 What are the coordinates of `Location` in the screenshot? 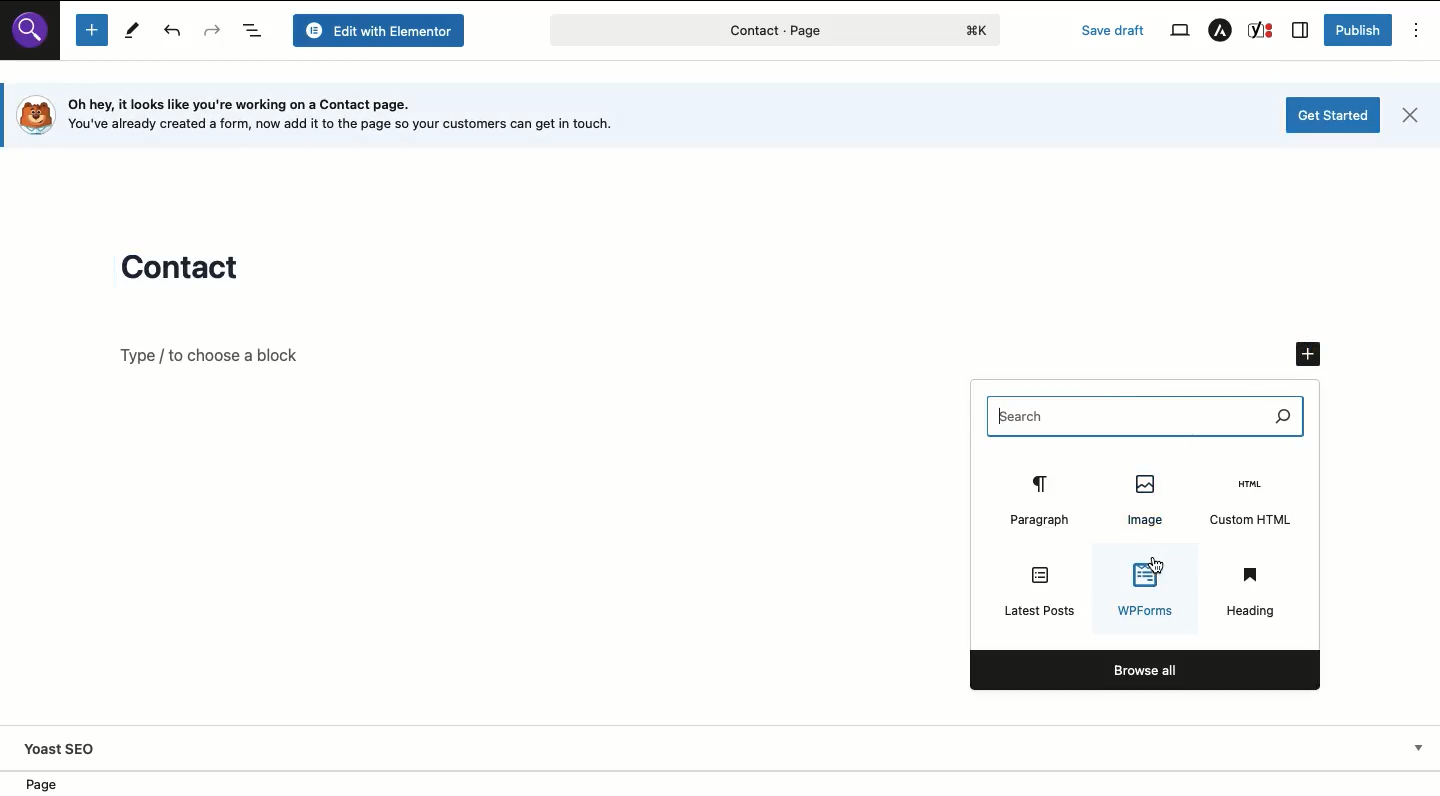 It's located at (727, 783).